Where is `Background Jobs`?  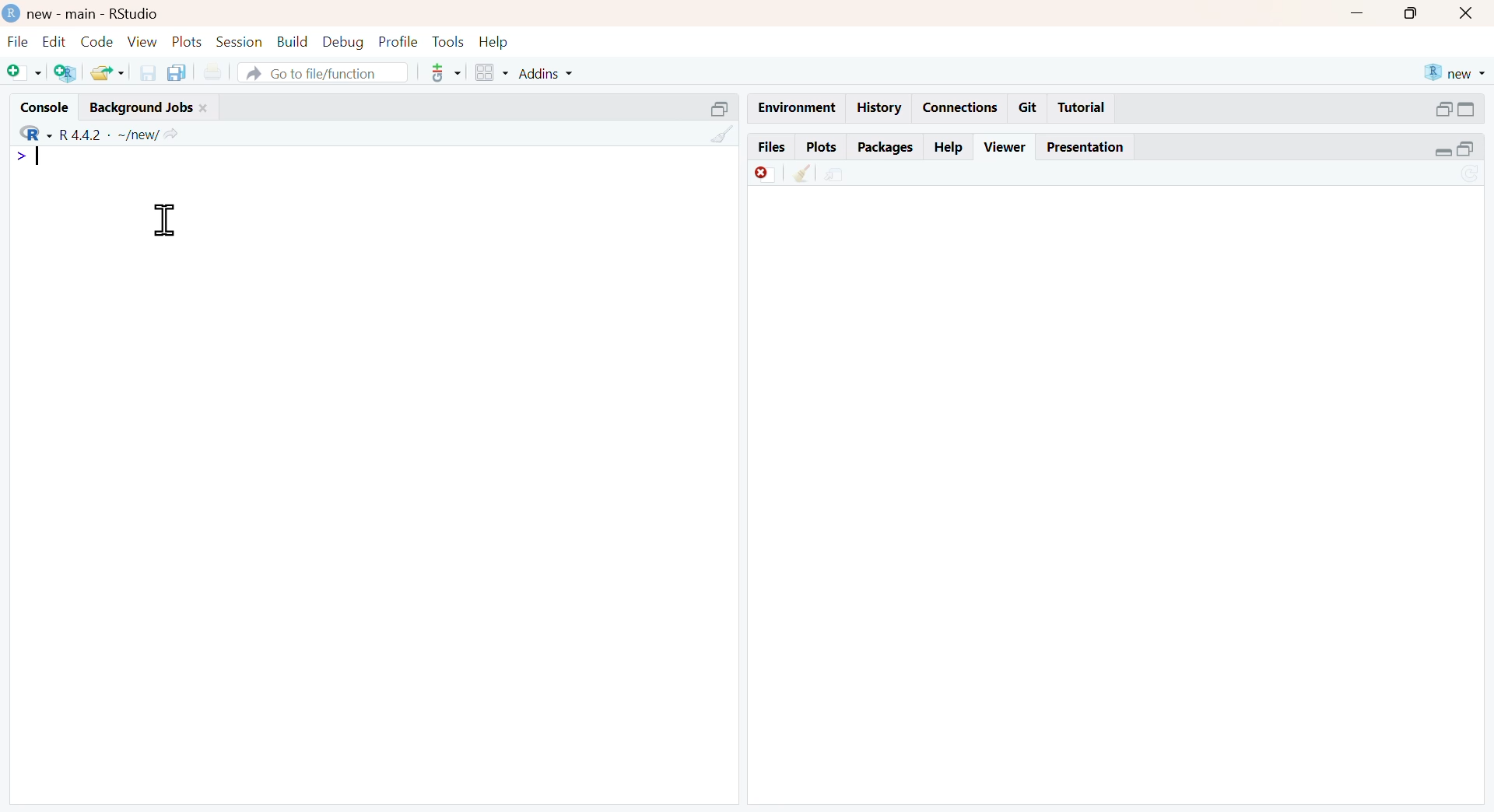 Background Jobs is located at coordinates (151, 108).